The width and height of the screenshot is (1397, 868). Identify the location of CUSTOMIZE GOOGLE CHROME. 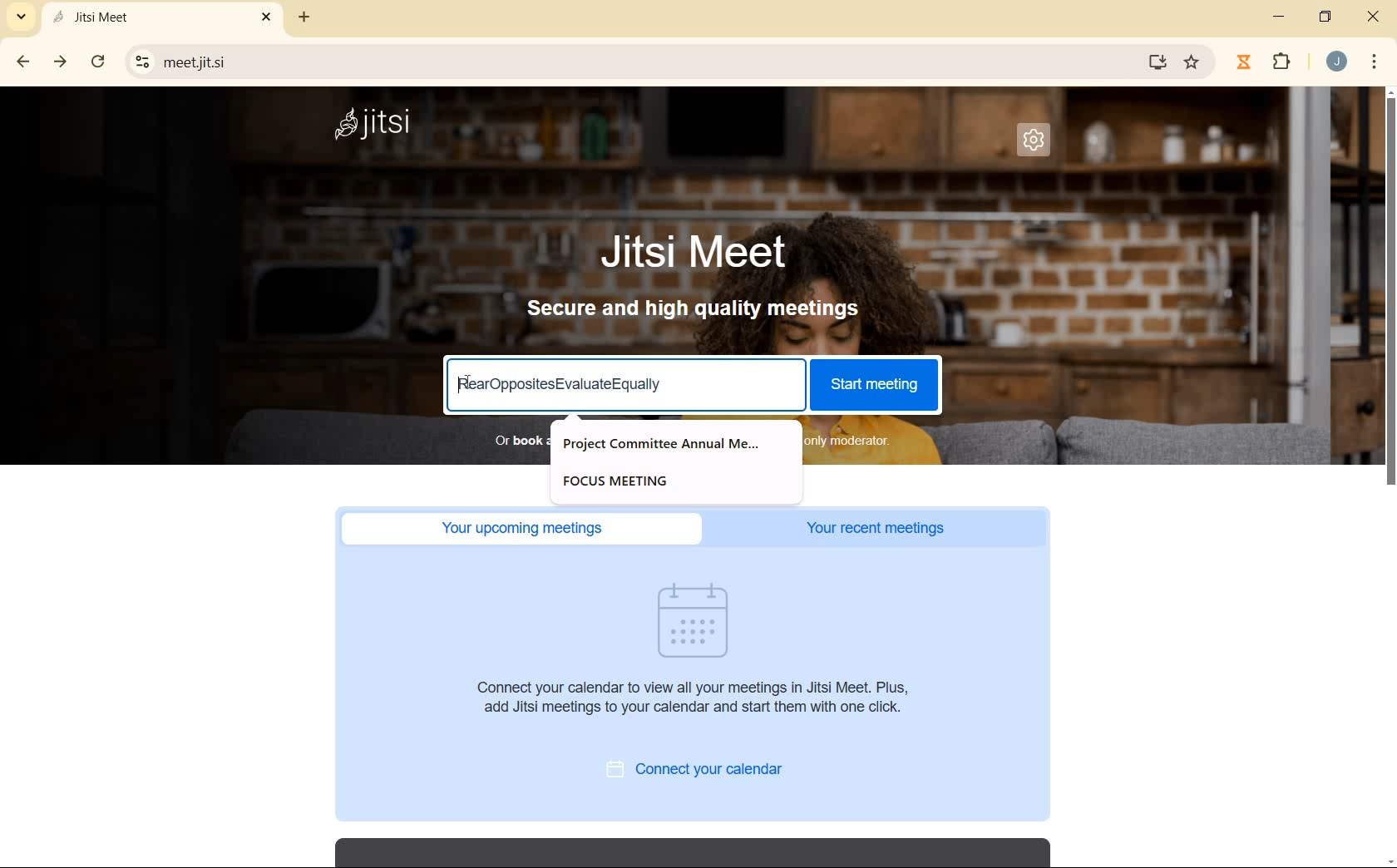
(1374, 62).